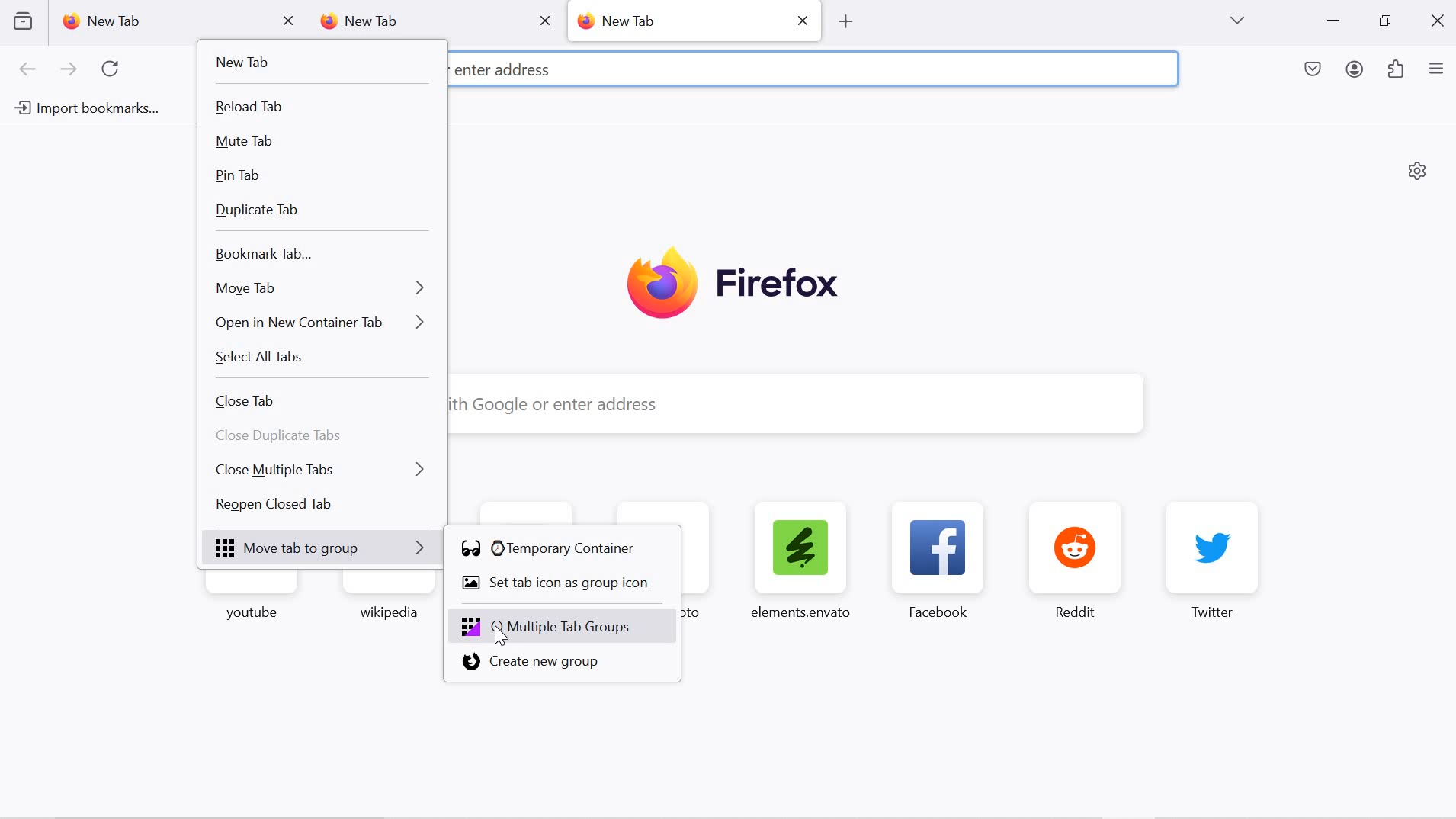 Image resolution: width=1456 pixels, height=819 pixels. Describe the element at coordinates (785, 405) in the screenshot. I see `y Search with Google or enter address` at that location.